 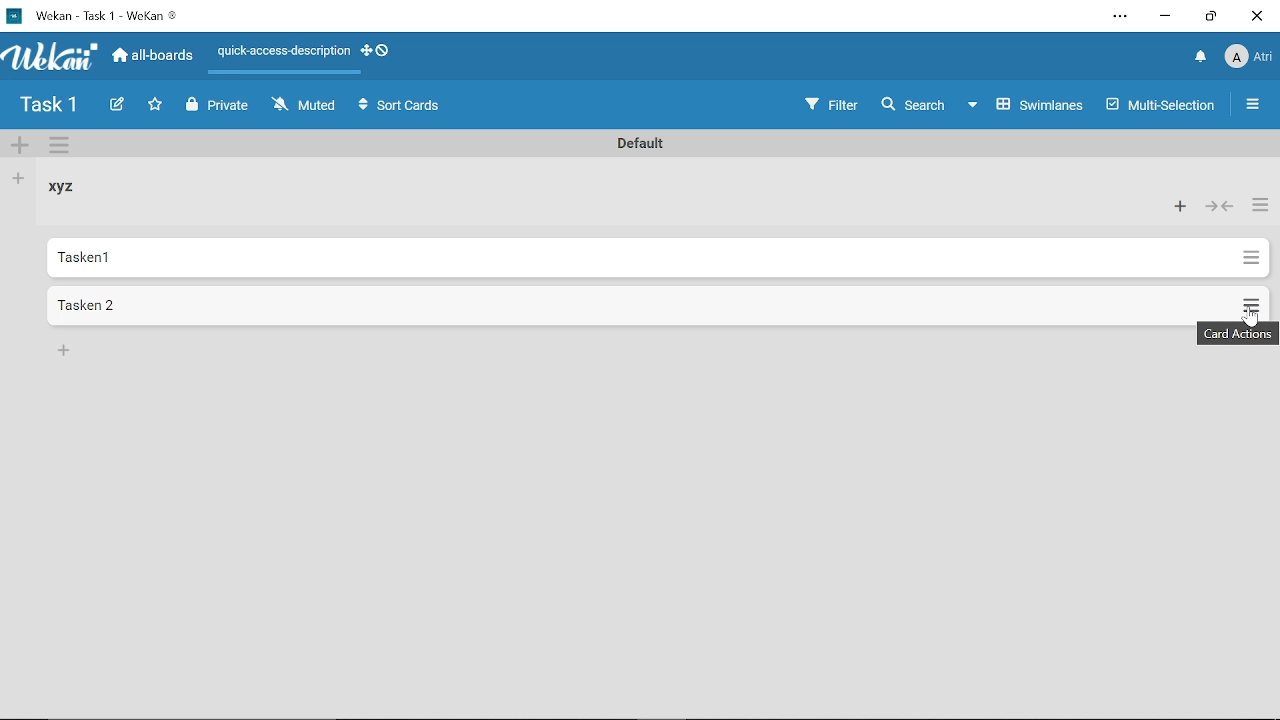 What do you see at coordinates (66, 352) in the screenshot?
I see `Add card to the bottom of the list` at bounding box center [66, 352].